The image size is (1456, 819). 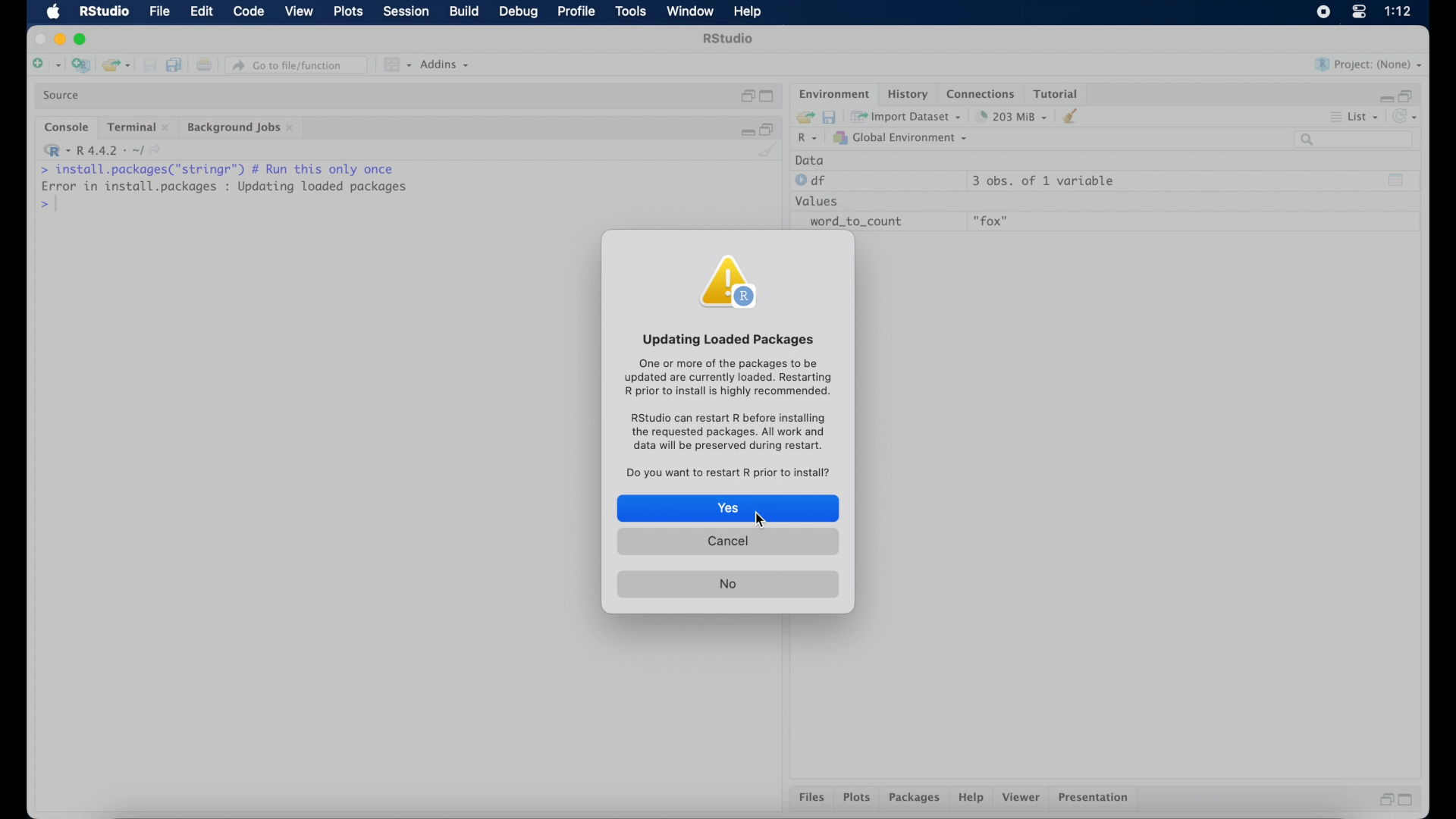 What do you see at coordinates (1369, 64) in the screenshot?
I see `project (none)` at bounding box center [1369, 64].